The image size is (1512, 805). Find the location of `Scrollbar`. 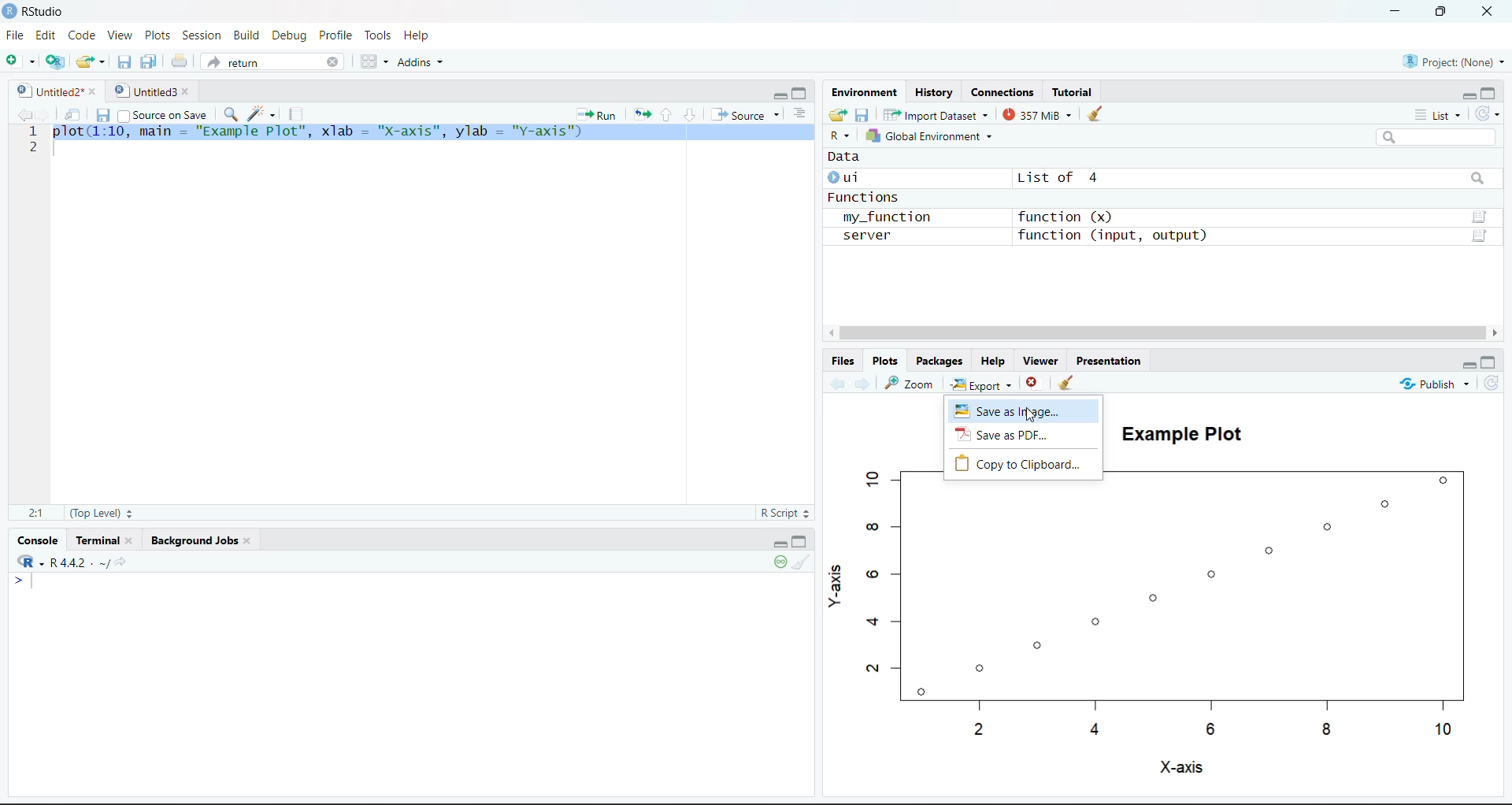

Scrollbar is located at coordinates (1160, 332).